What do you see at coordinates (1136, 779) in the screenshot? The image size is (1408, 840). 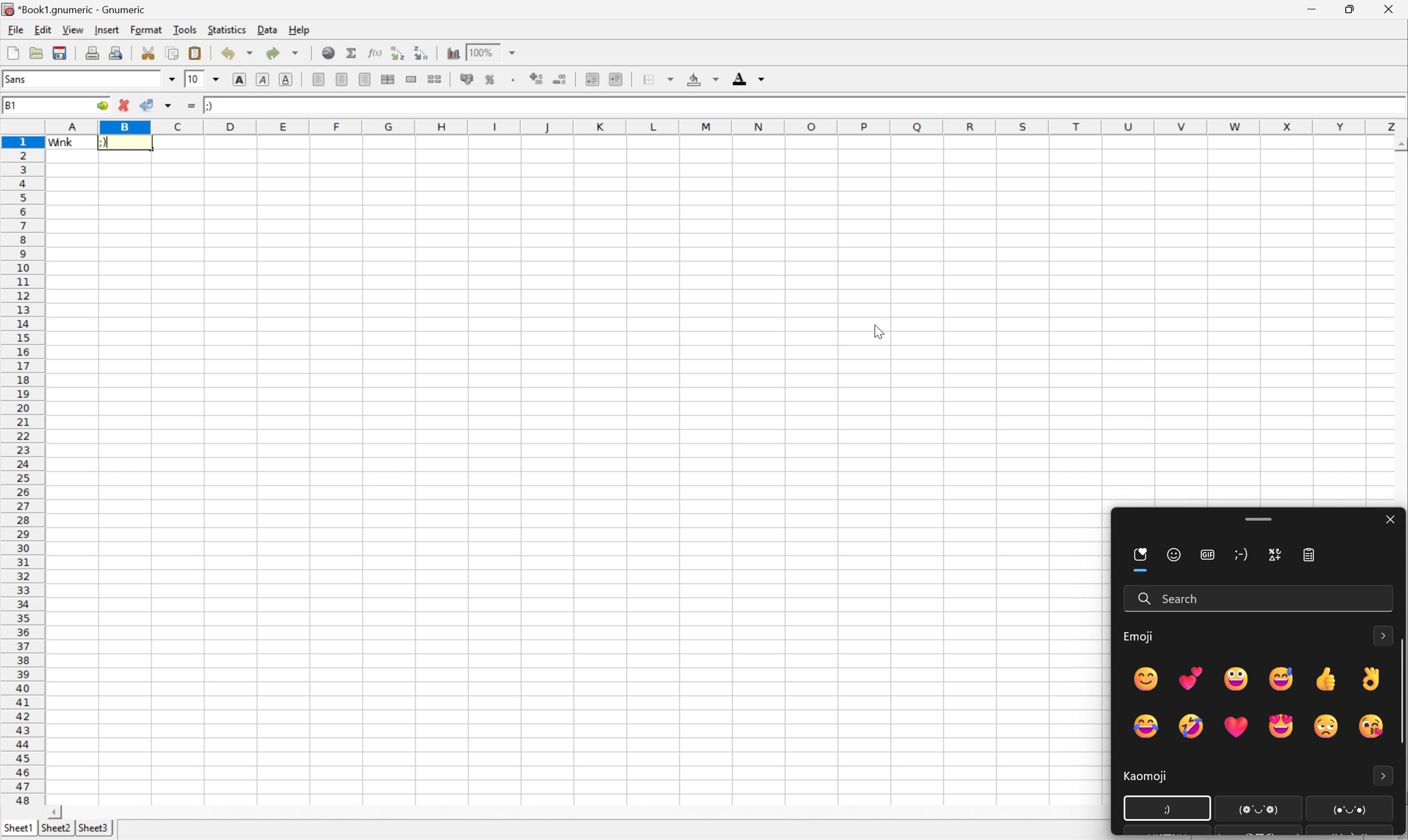 I see `kaomoji` at bounding box center [1136, 779].